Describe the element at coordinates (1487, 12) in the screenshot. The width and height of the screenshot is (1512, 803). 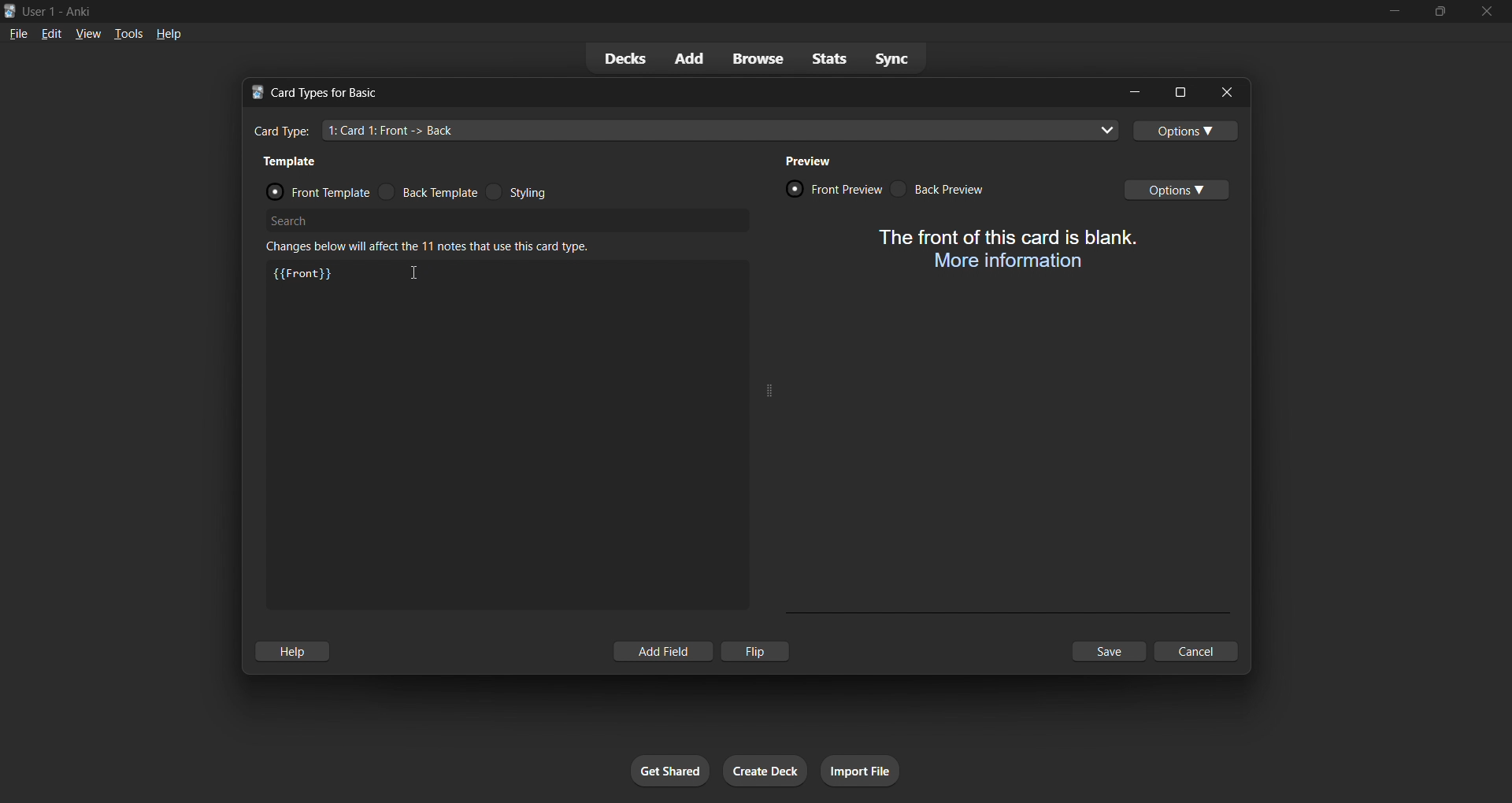
I see `close` at that location.